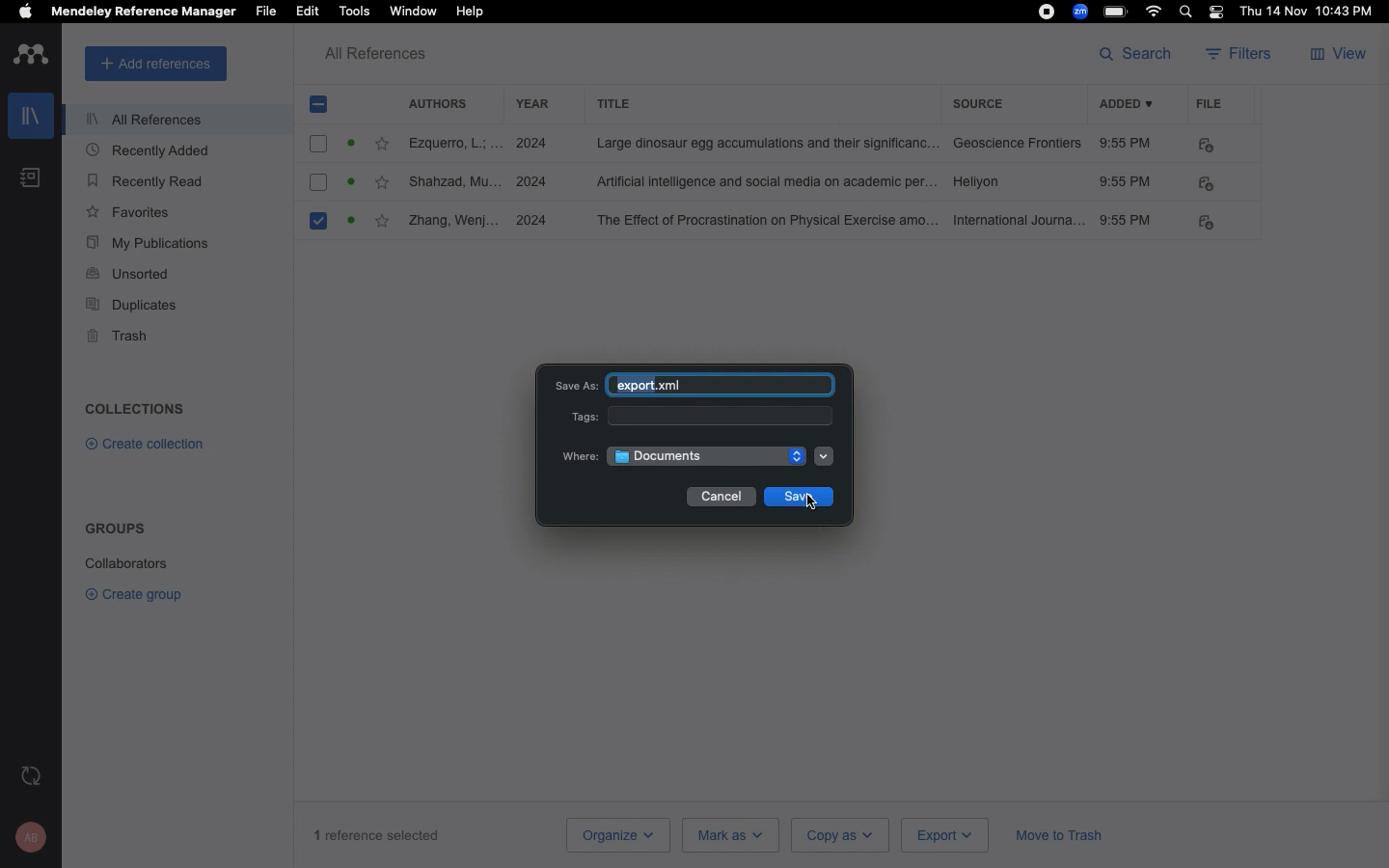 The height and width of the screenshot is (868, 1389). I want to click on Favorites, so click(131, 212).